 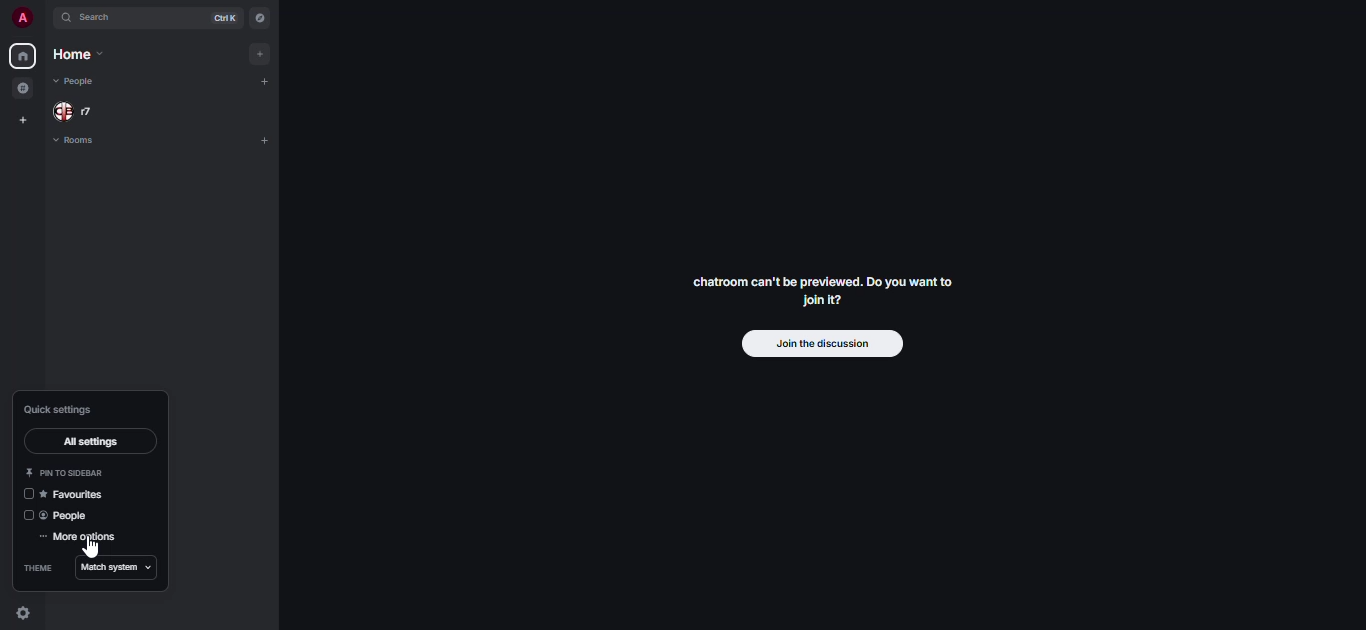 What do you see at coordinates (65, 515) in the screenshot?
I see `people` at bounding box center [65, 515].